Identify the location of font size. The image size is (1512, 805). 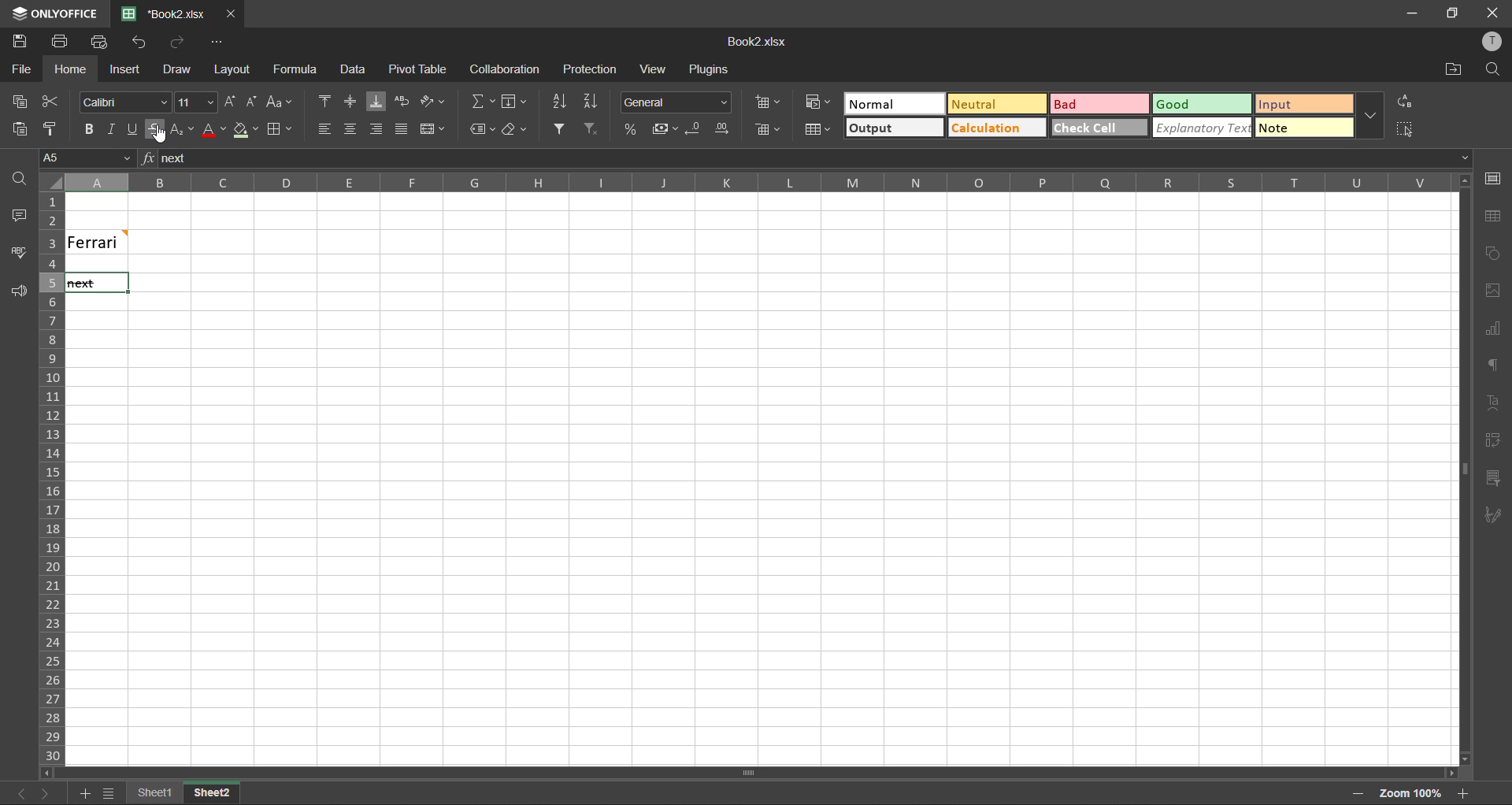
(198, 102).